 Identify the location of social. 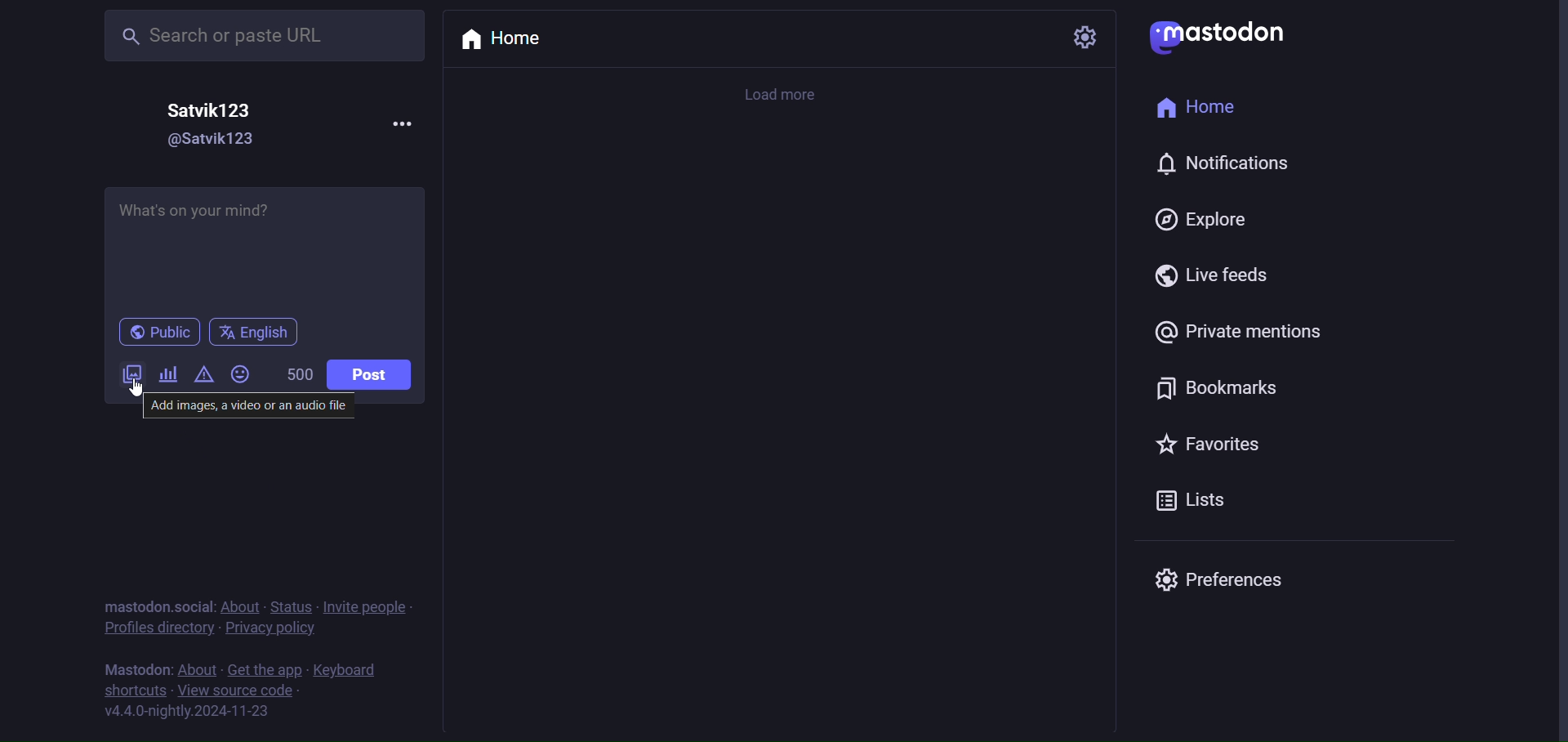
(193, 606).